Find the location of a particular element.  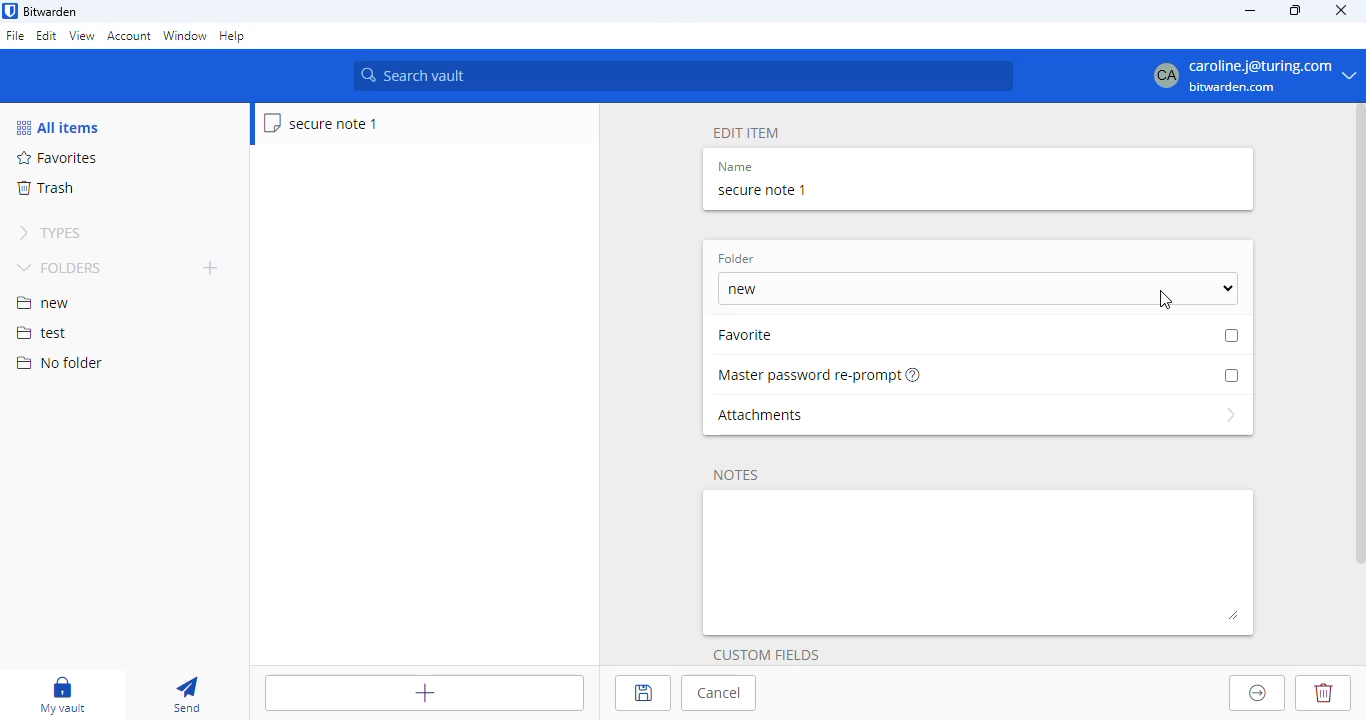

favorite is located at coordinates (752, 334).